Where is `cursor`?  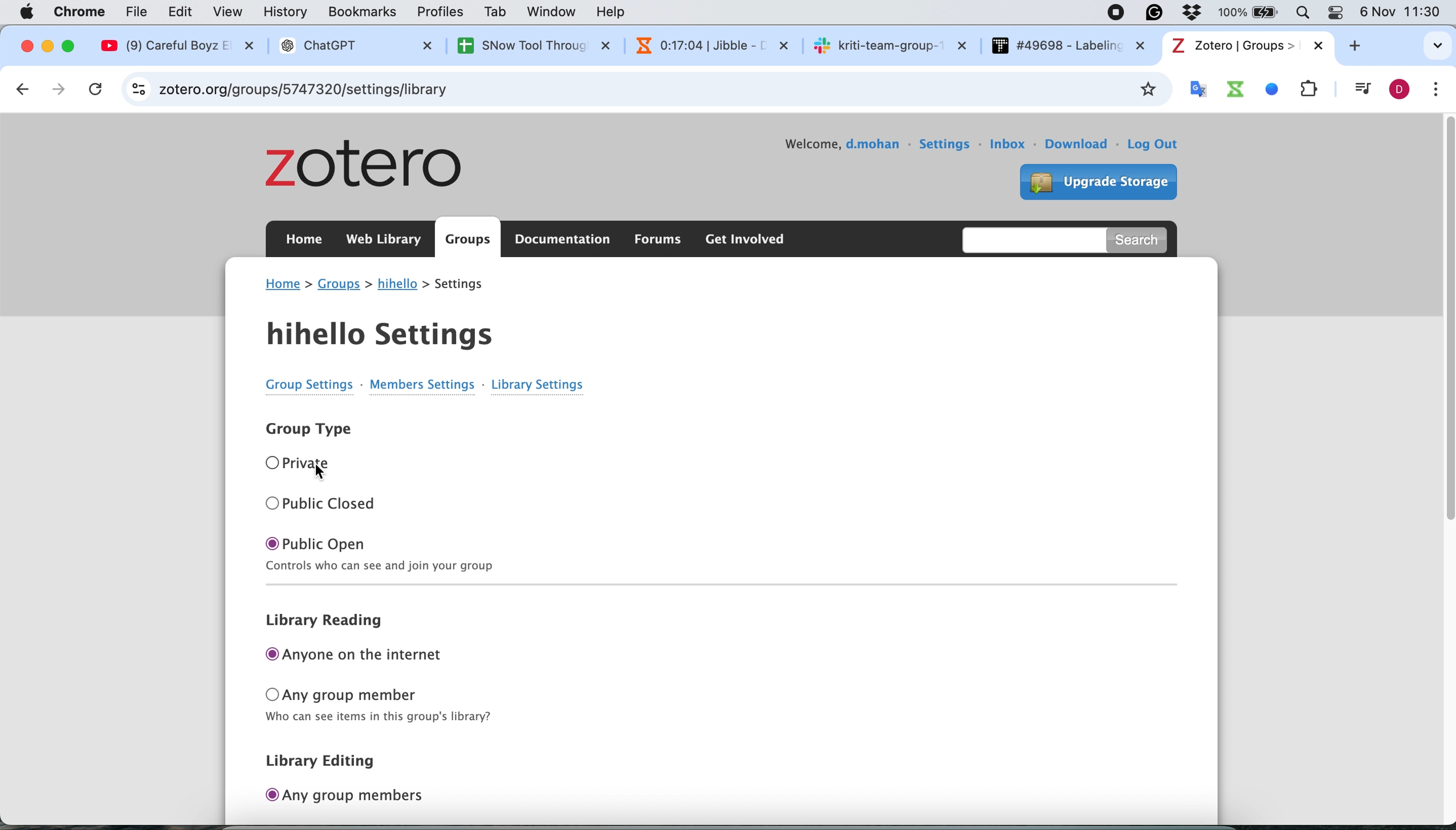
cursor is located at coordinates (324, 473).